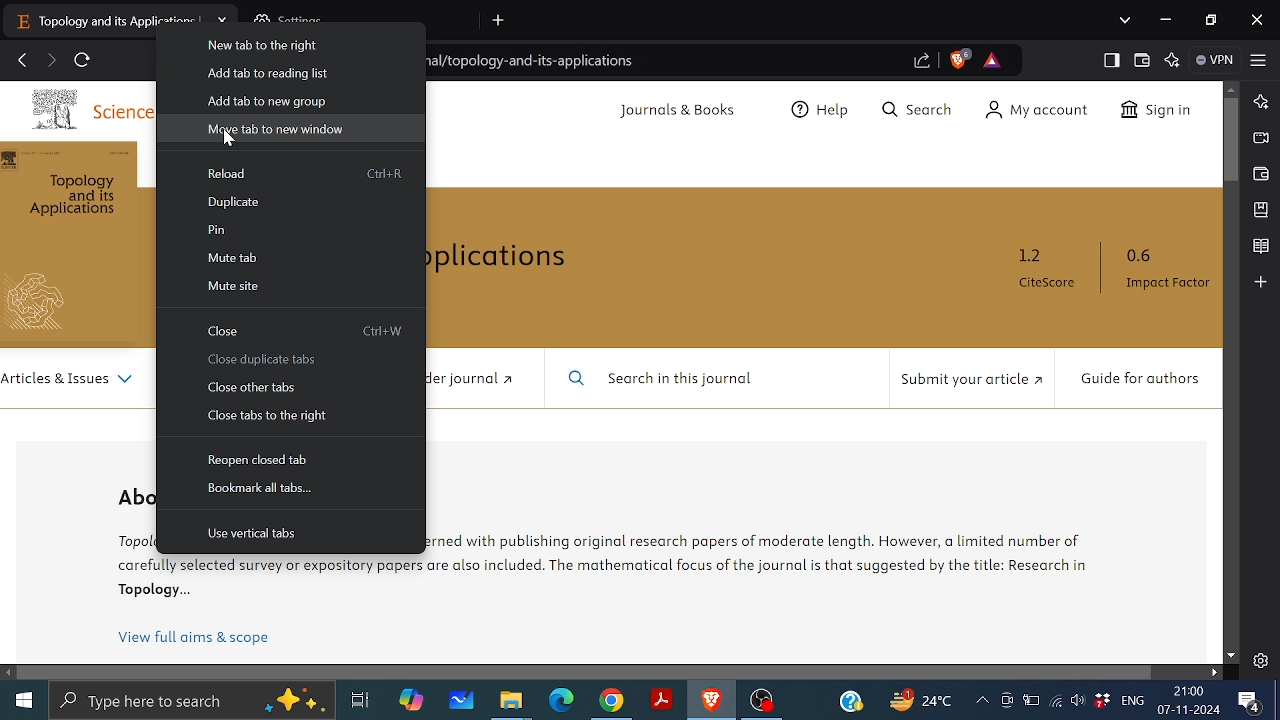 The width and height of the screenshot is (1280, 720). Describe the element at coordinates (44, 303) in the screenshot. I see `logo` at that location.